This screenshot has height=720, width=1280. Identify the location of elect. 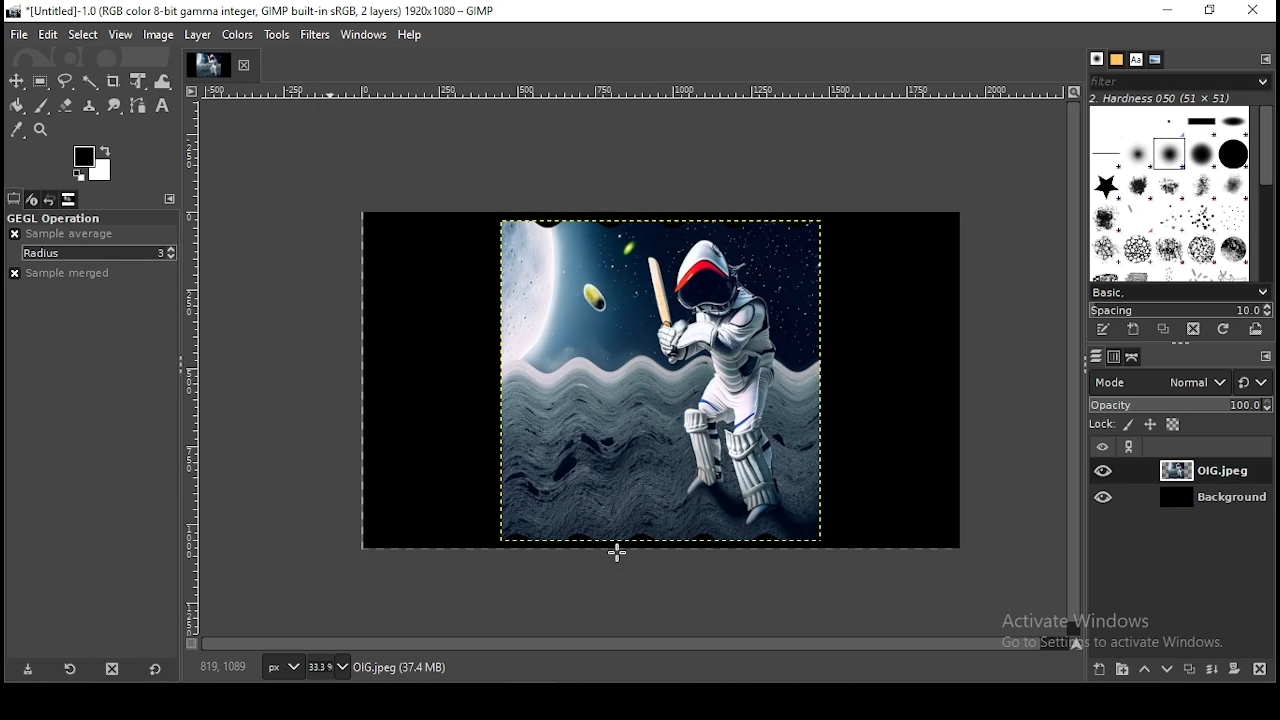
(83, 34).